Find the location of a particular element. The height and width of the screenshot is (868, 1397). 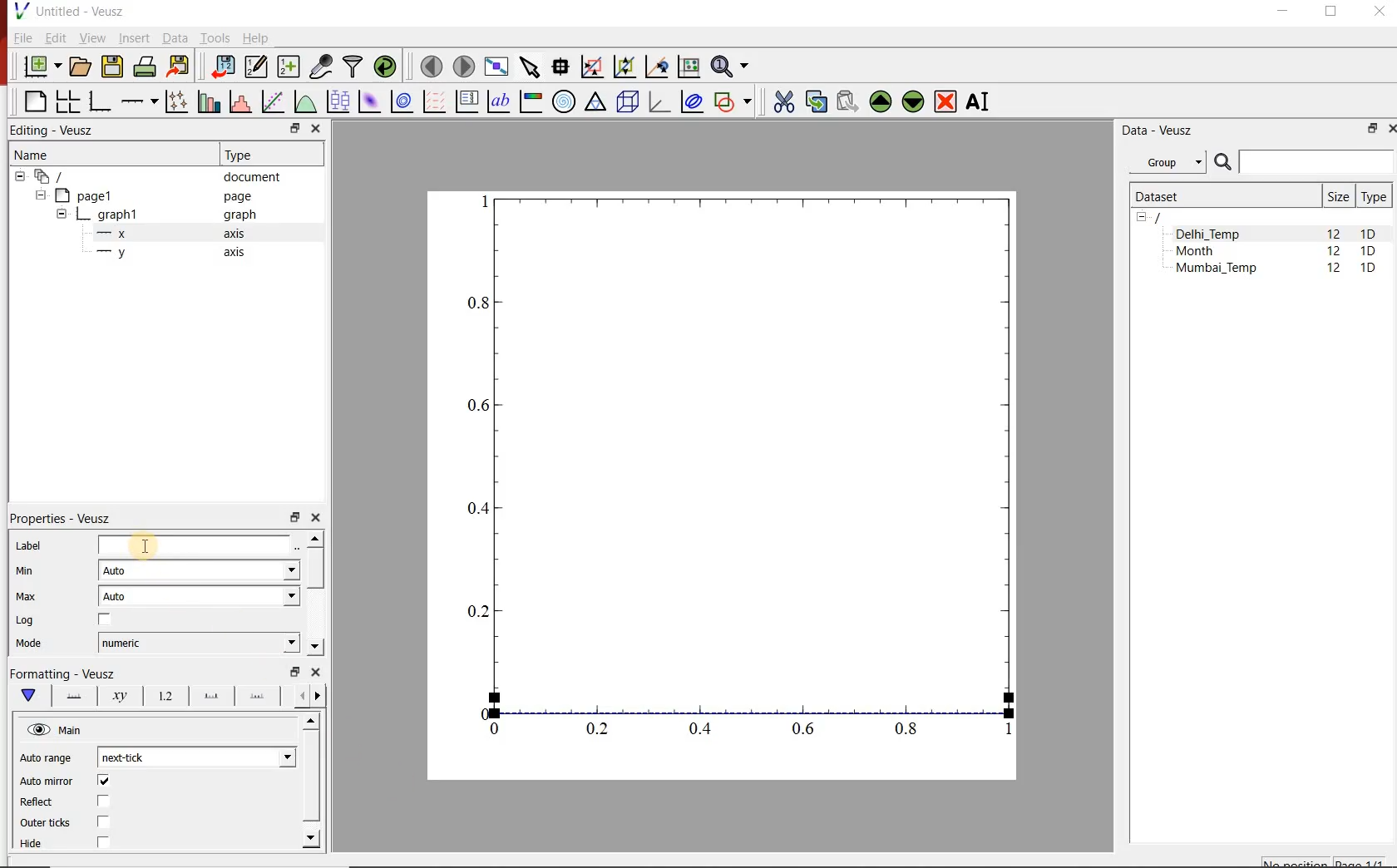

paste widget from the clipboard is located at coordinates (848, 101).